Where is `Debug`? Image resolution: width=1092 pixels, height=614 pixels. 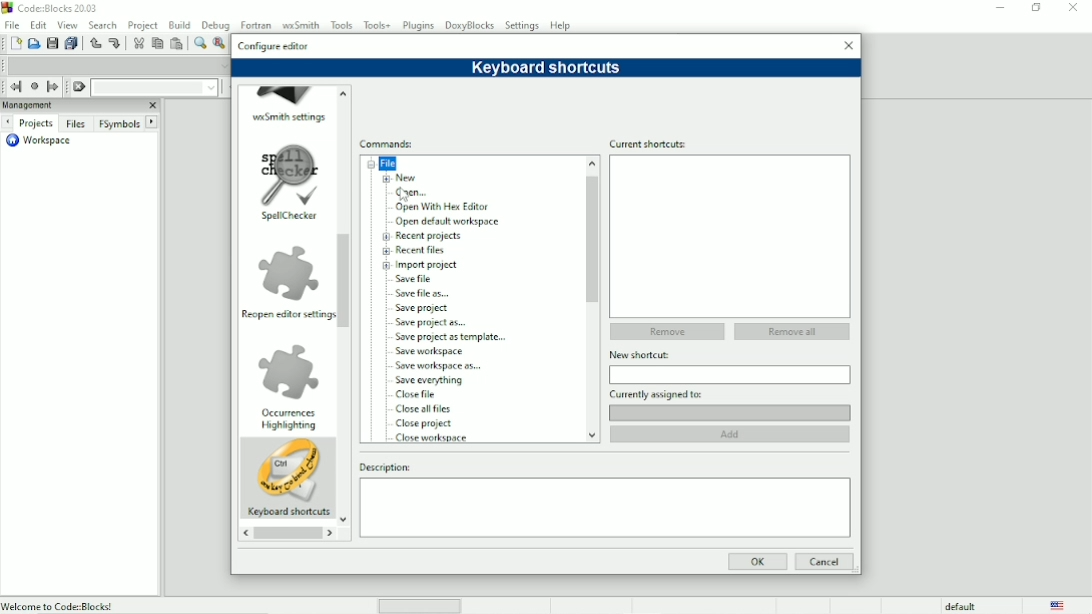
Debug is located at coordinates (214, 24).